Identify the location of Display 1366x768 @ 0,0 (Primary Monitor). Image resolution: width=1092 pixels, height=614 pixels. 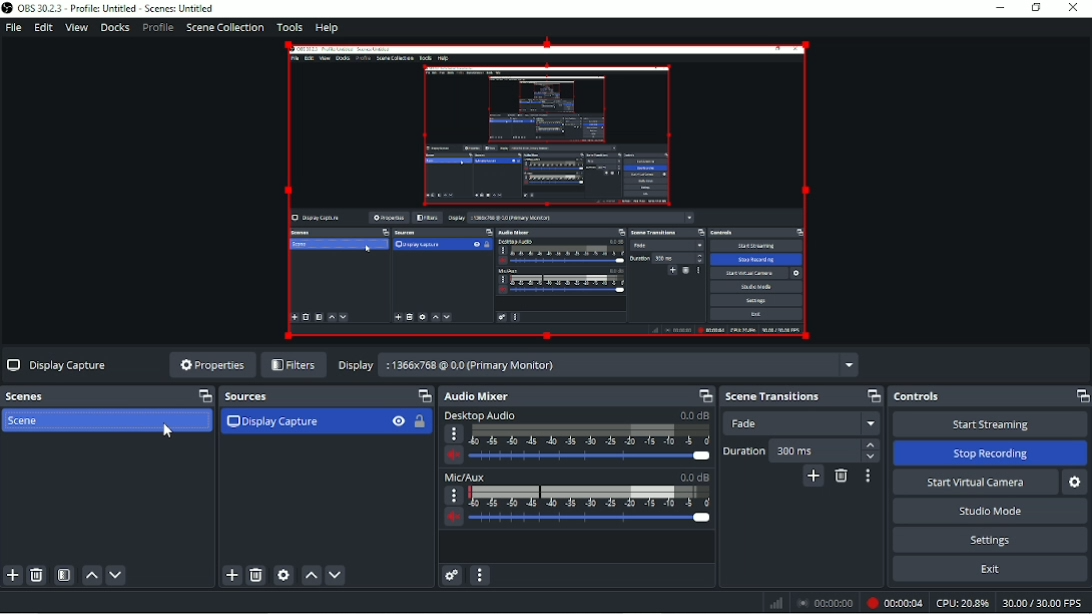
(596, 364).